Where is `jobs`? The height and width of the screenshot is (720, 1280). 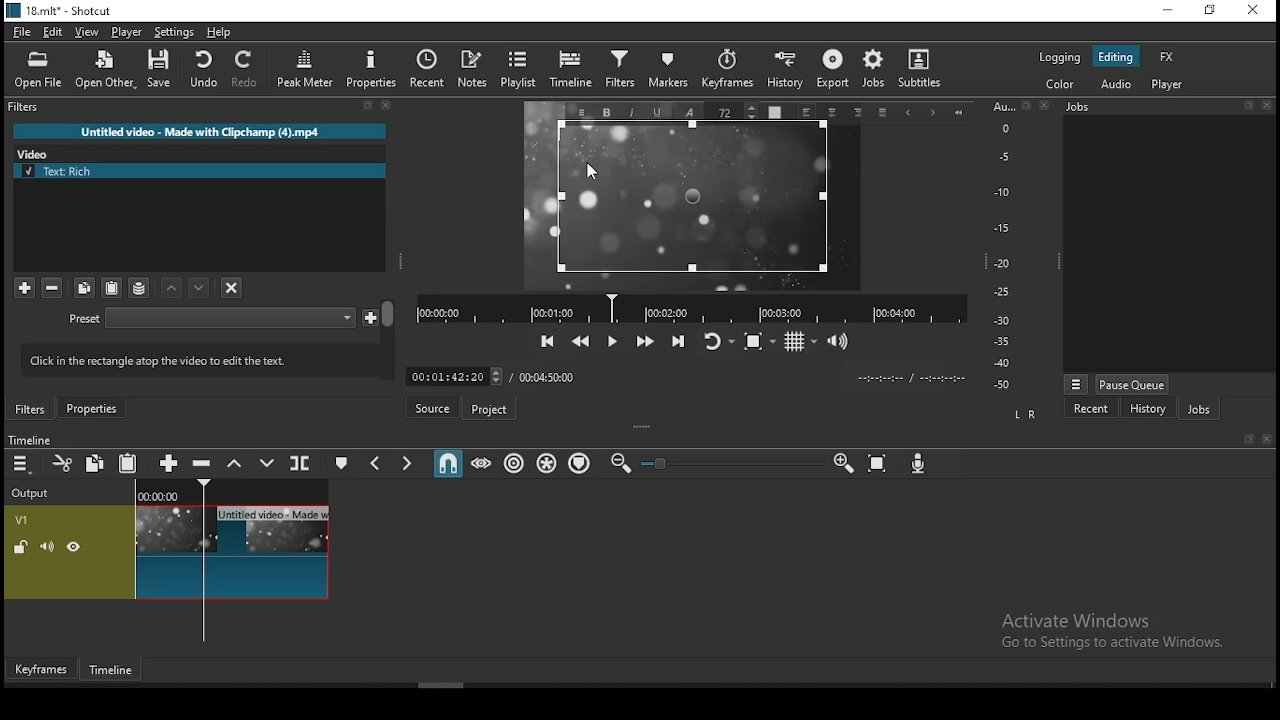 jobs is located at coordinates (875, 70).